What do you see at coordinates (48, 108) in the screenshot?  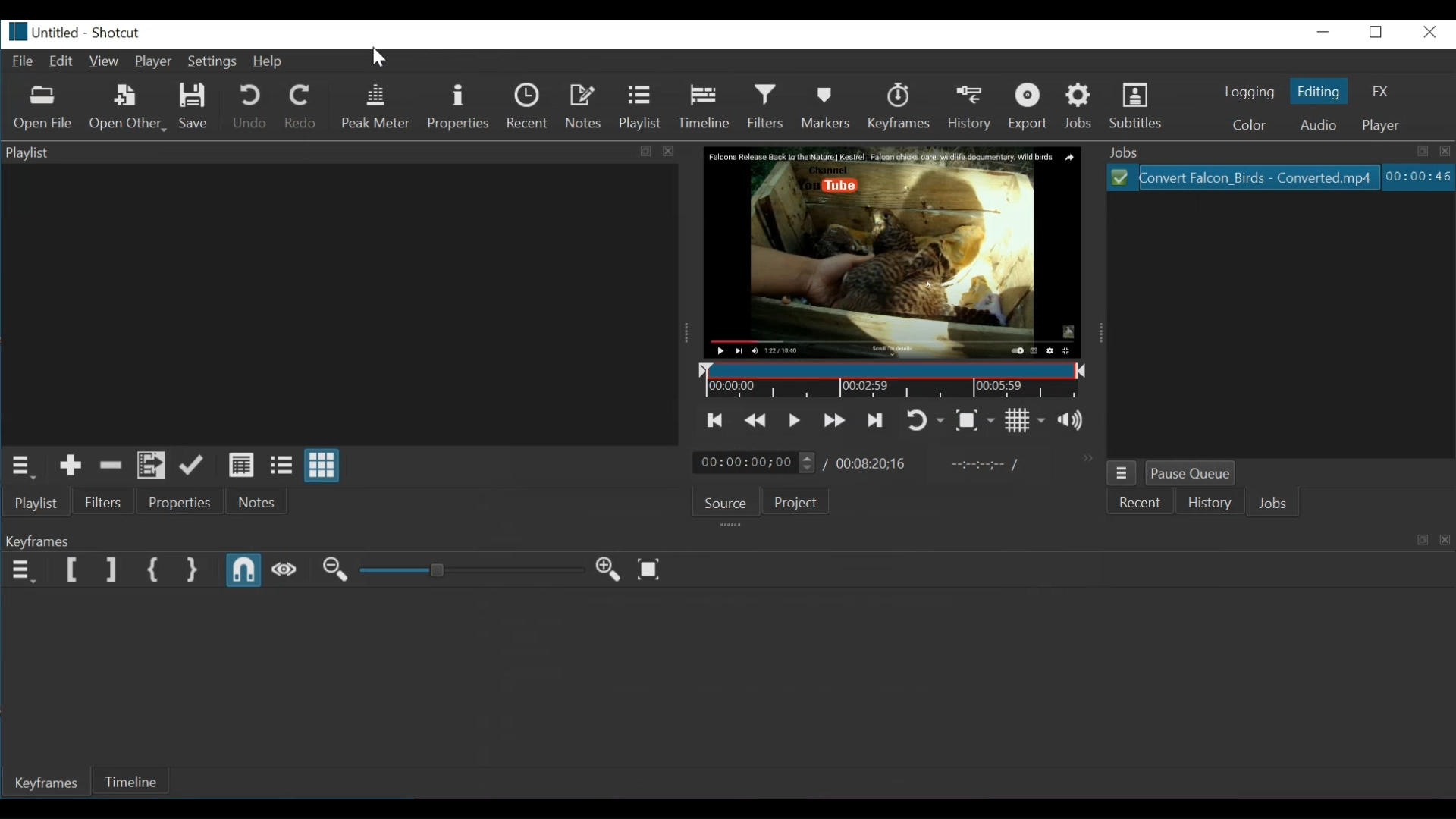 I see `Open File` at bounding box center [48, 108].